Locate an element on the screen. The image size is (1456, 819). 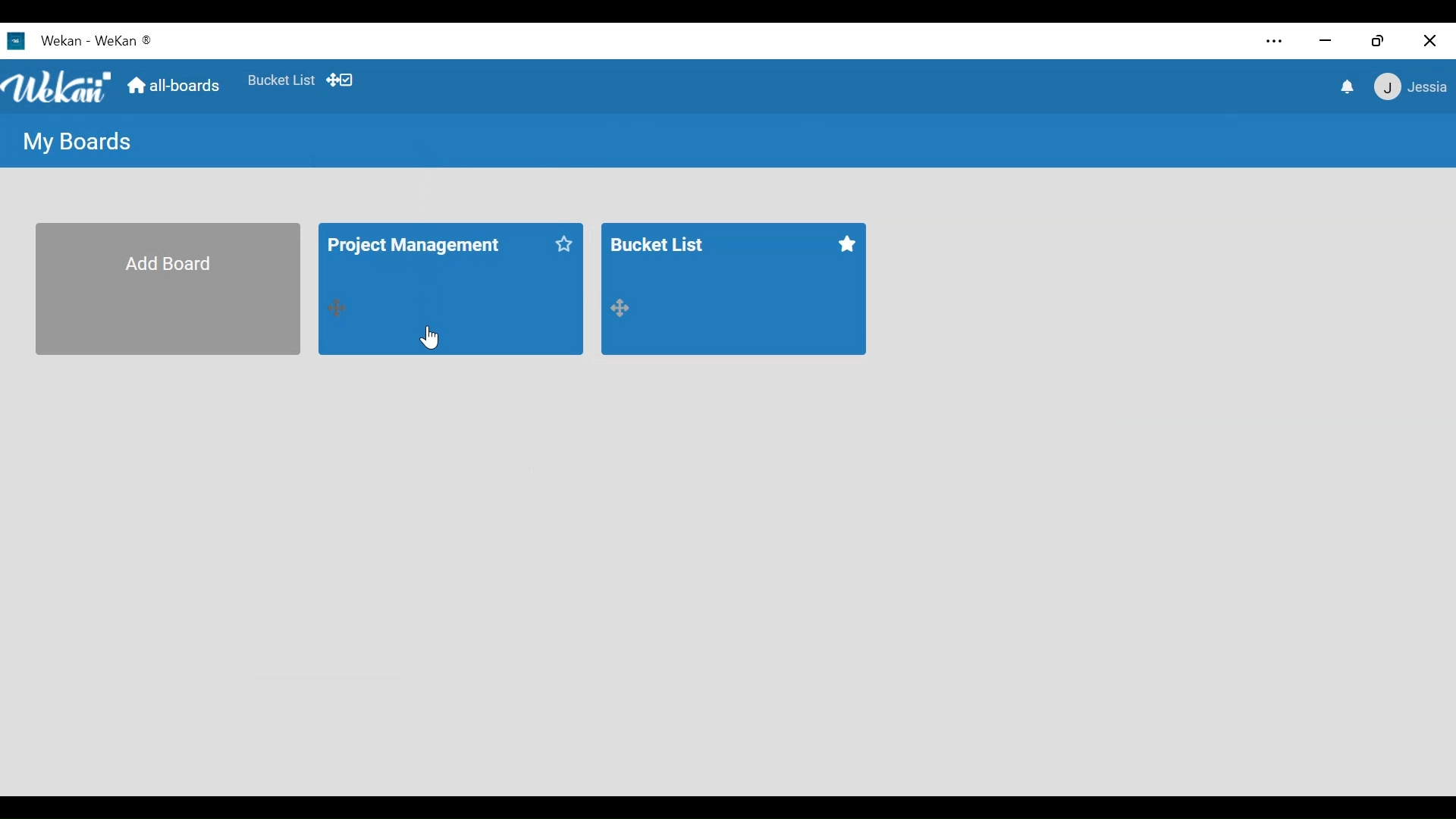
Favorites is located at coordinates (845, 246).